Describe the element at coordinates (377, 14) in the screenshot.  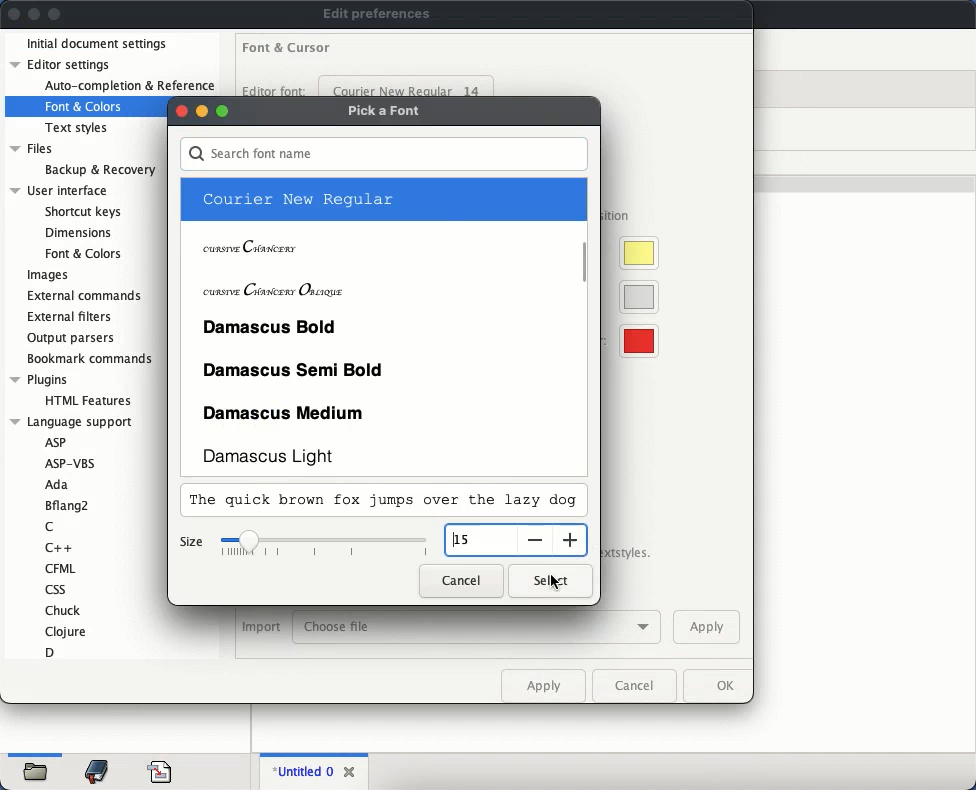
I see `edit preferences` at that location.